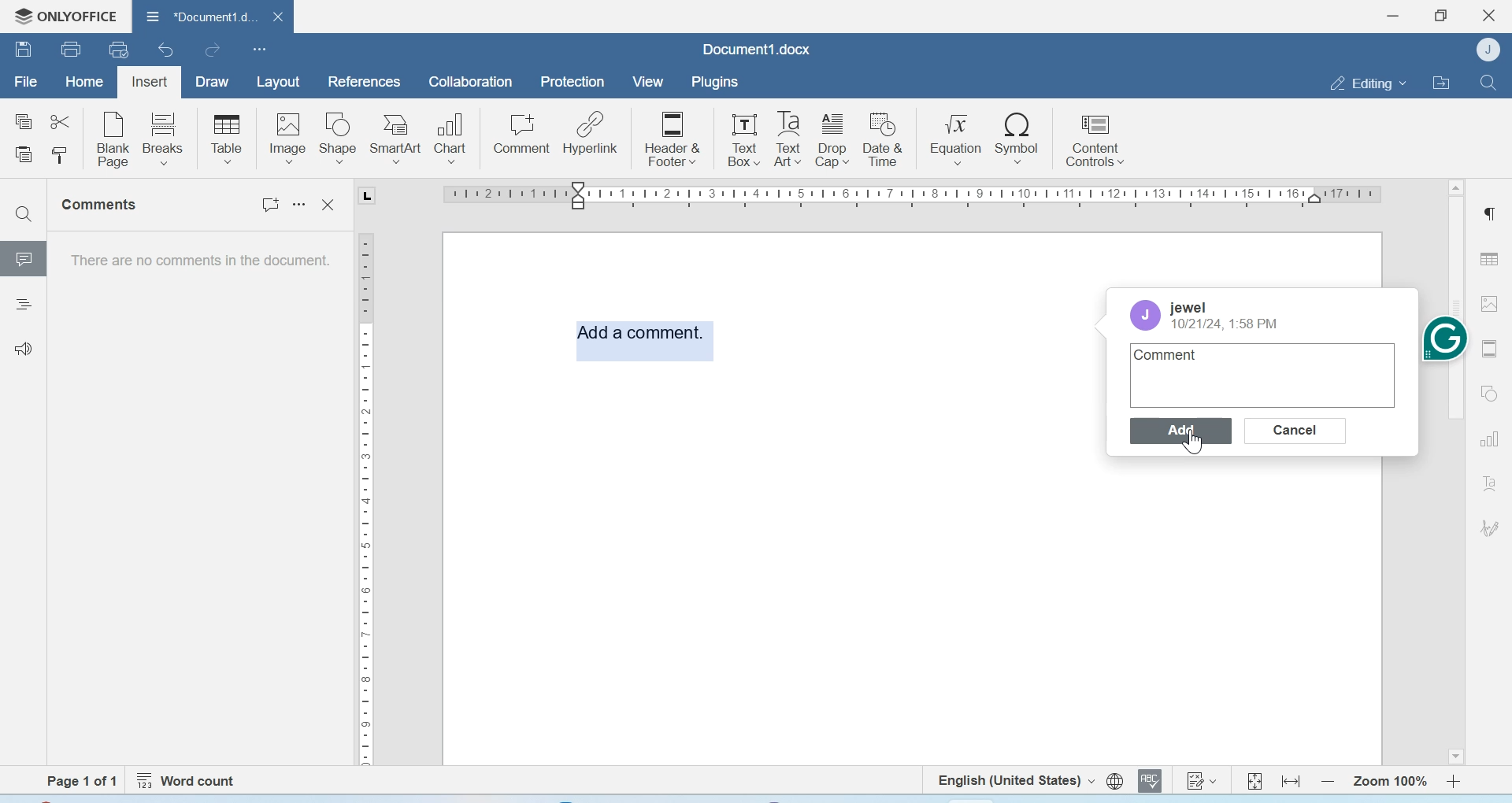 This screenshot has width=1512, height=803. I want to click on Comment, so click(522, 134).